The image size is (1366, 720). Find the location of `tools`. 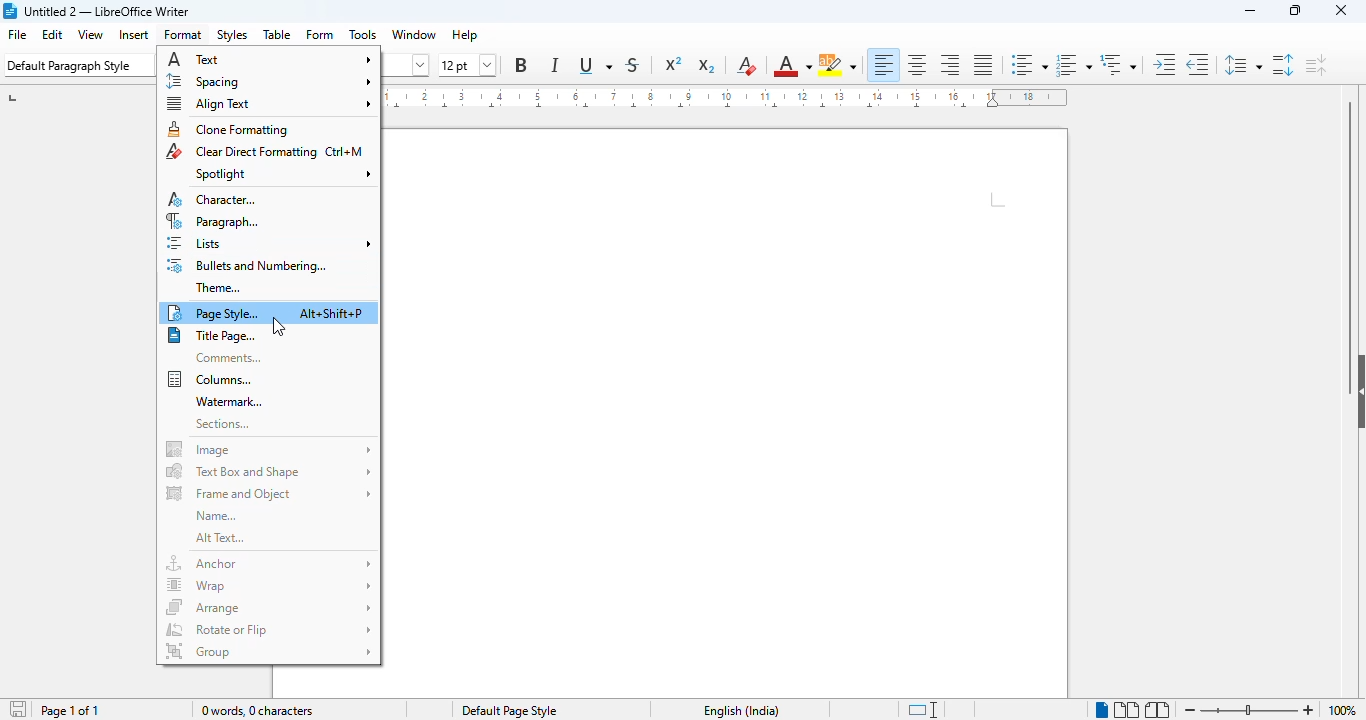

tools is located at coordinates (363, 34).